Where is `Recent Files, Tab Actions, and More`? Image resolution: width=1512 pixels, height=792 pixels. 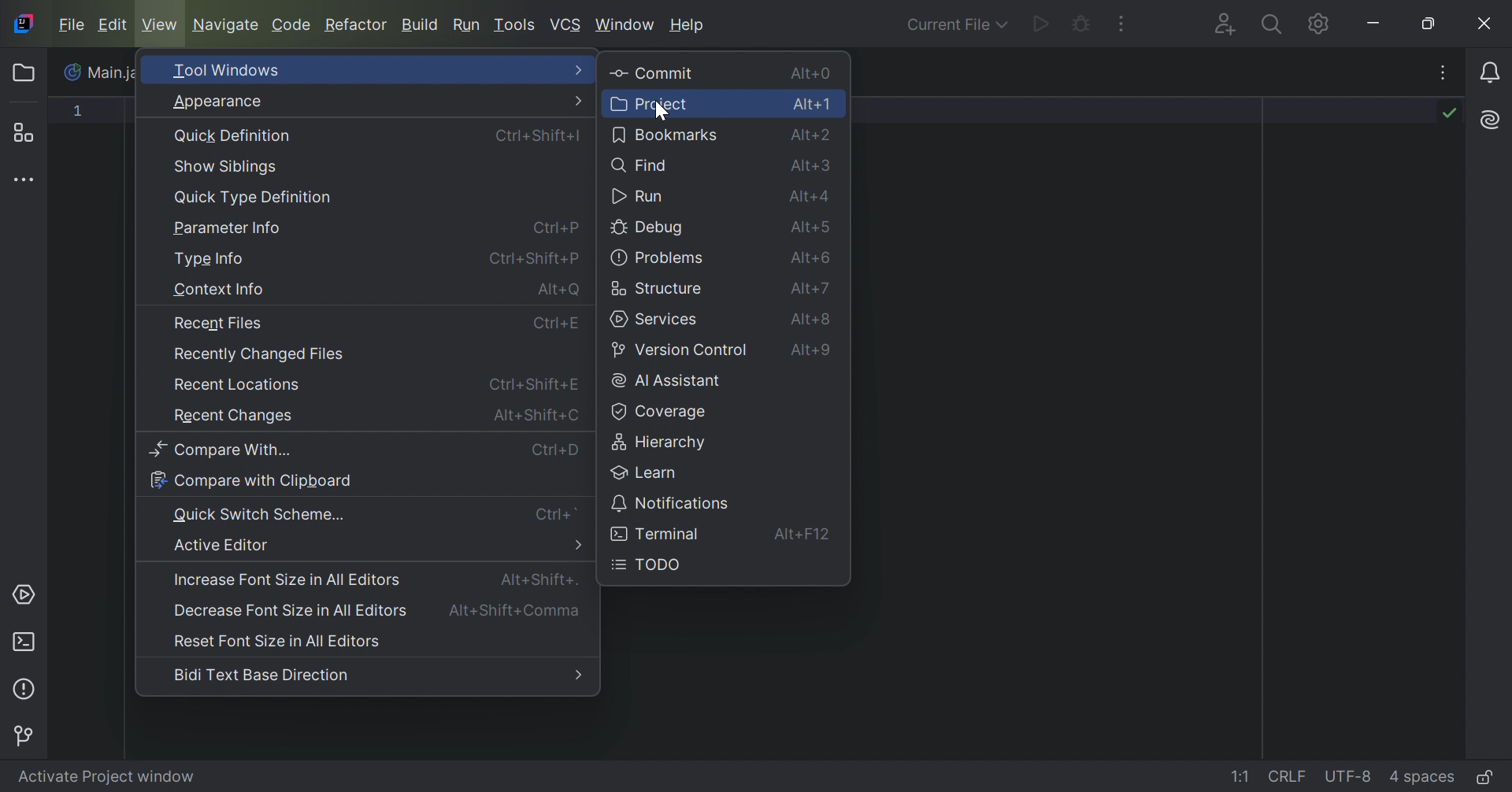
Recent Files, Tab Actions, and More is located at coordinates (1442, 76).